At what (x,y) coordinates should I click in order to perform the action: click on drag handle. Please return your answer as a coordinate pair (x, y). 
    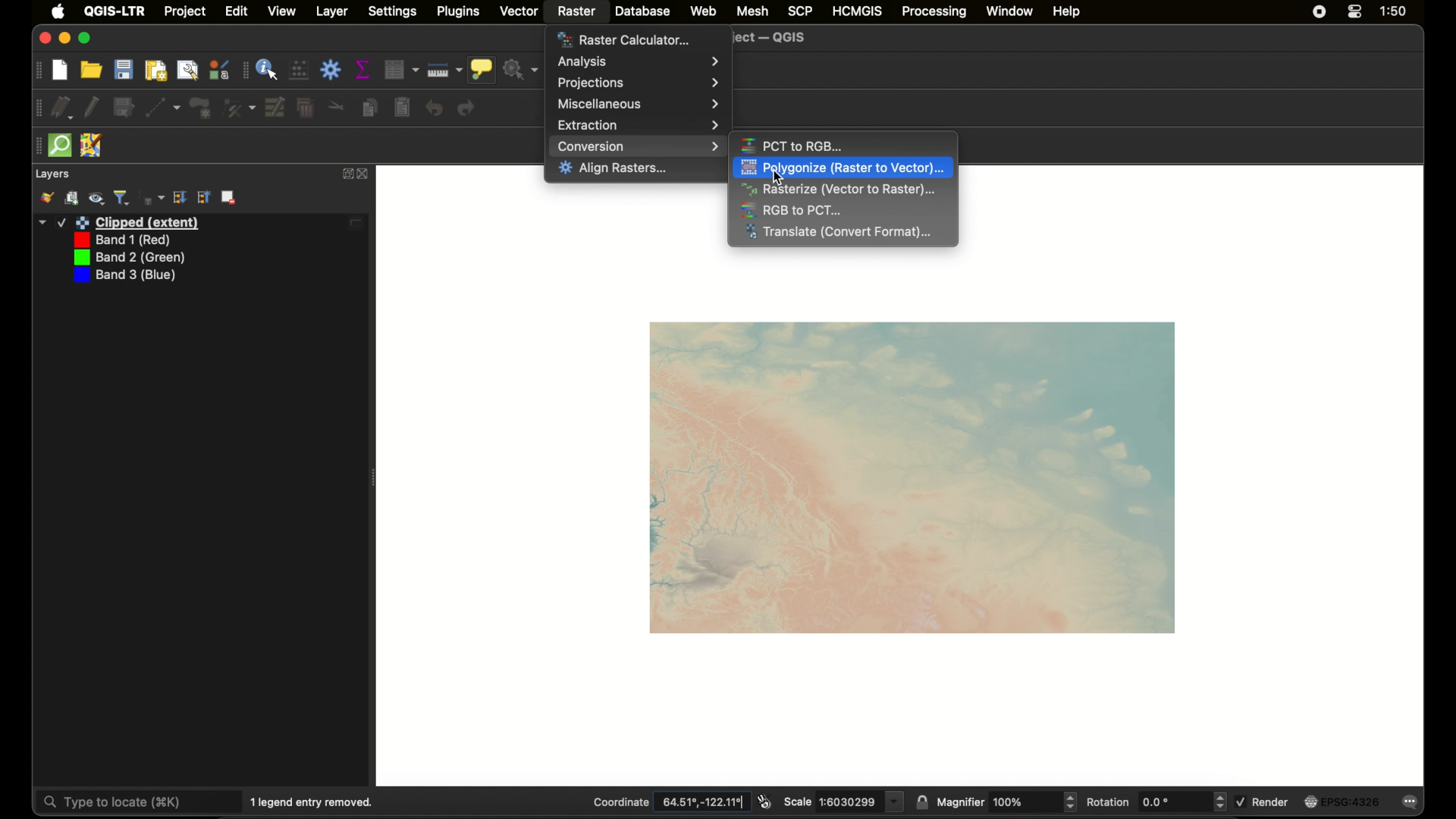
    Looking at the image, I should click on (243, 71).